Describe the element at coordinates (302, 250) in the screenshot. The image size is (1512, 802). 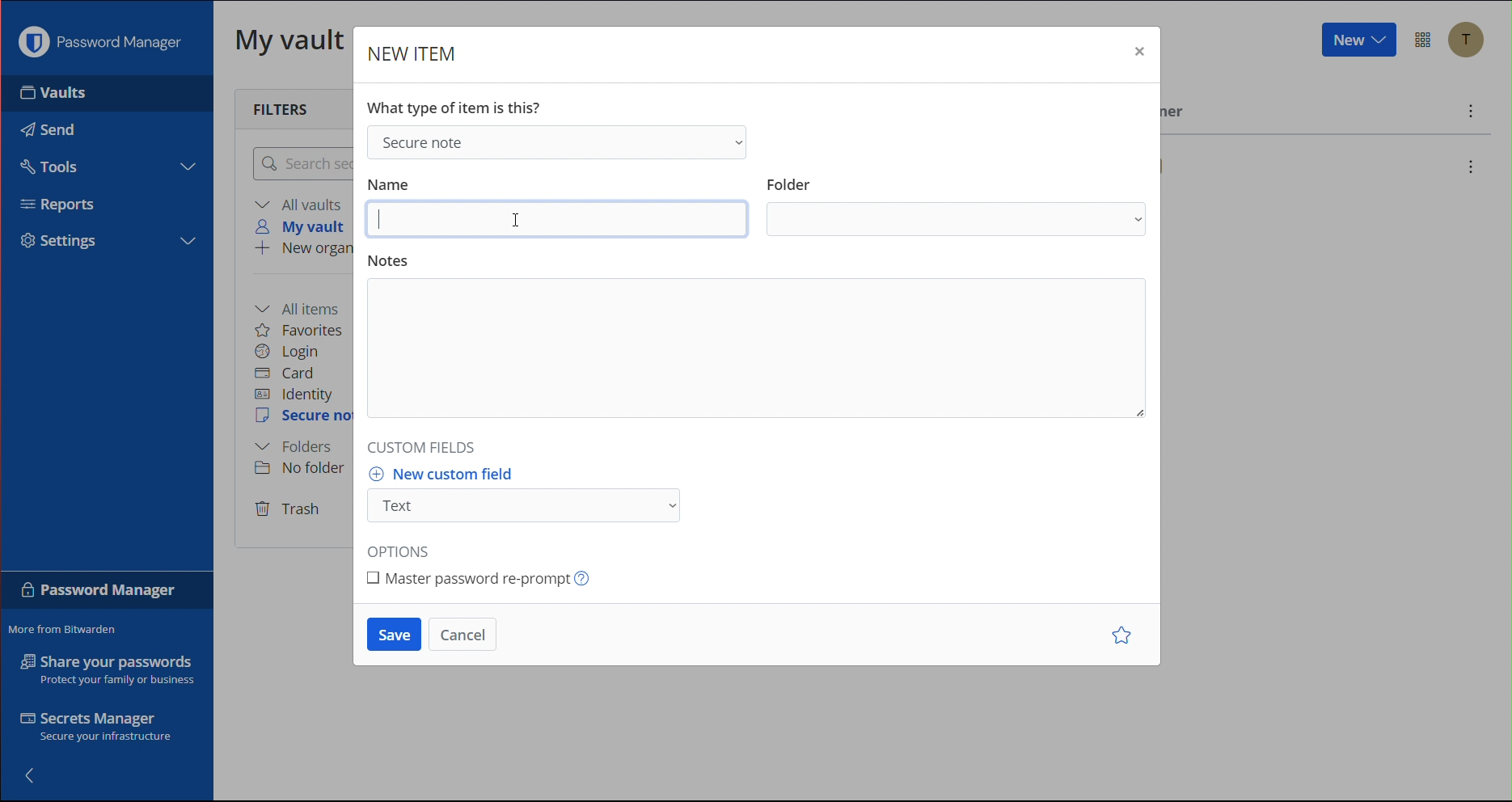
I see `New organization` at that location.